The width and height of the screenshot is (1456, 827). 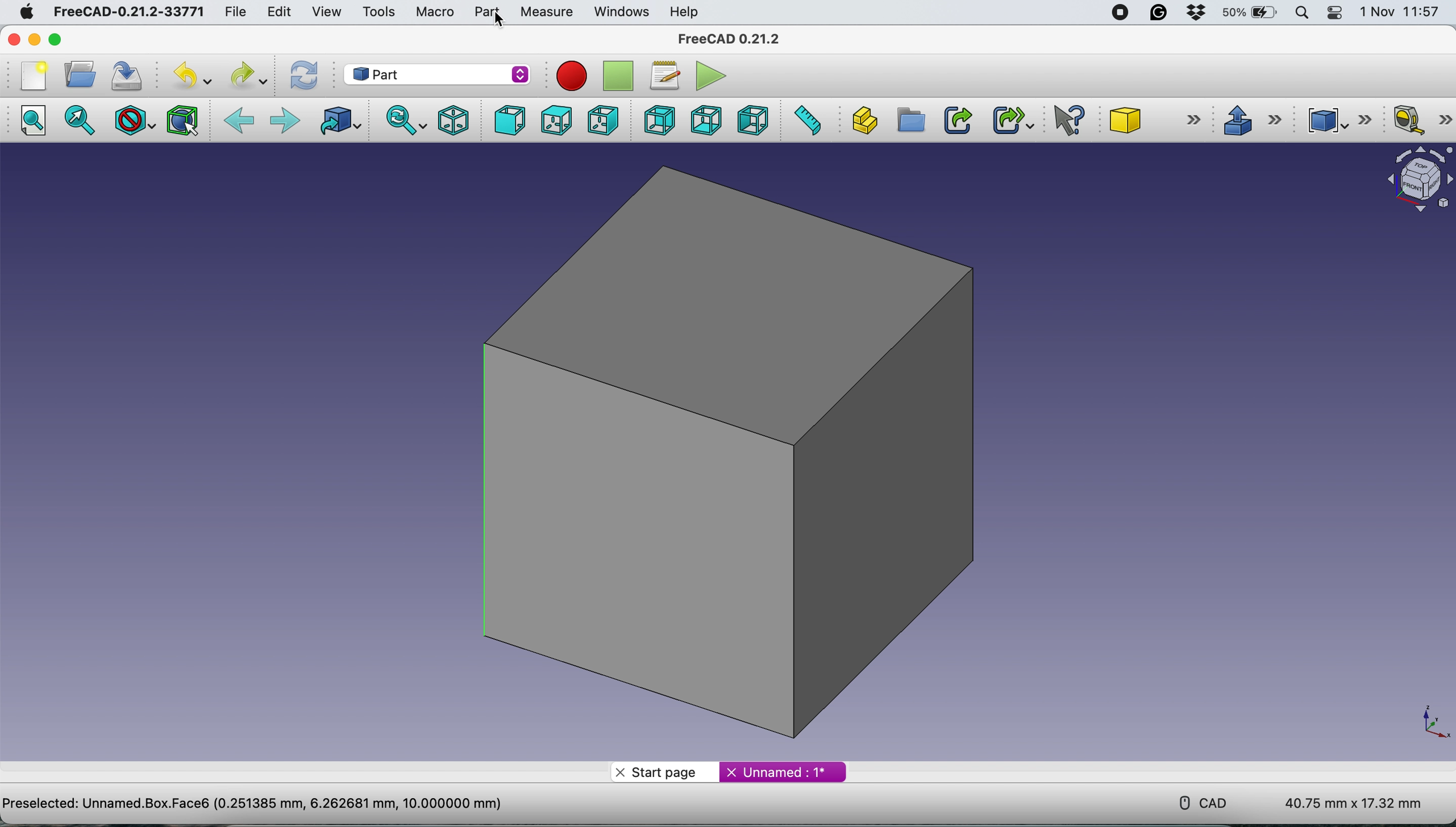 What do you see at coordinates (55, 39) in the screenshot?
I see `maximise` at bounding box center [55, 39].